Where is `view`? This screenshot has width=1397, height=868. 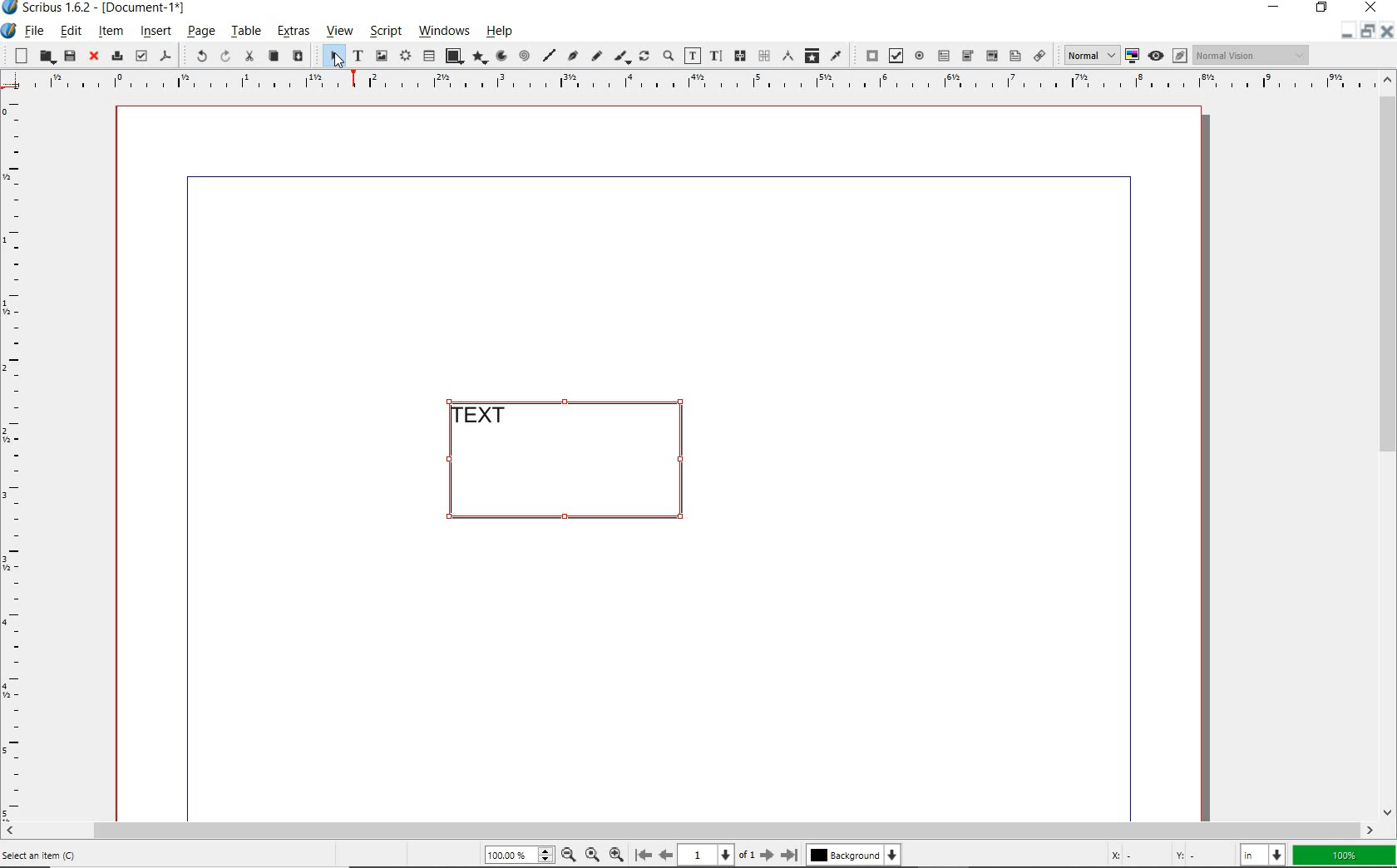
view is located at coordinates (342, 32).